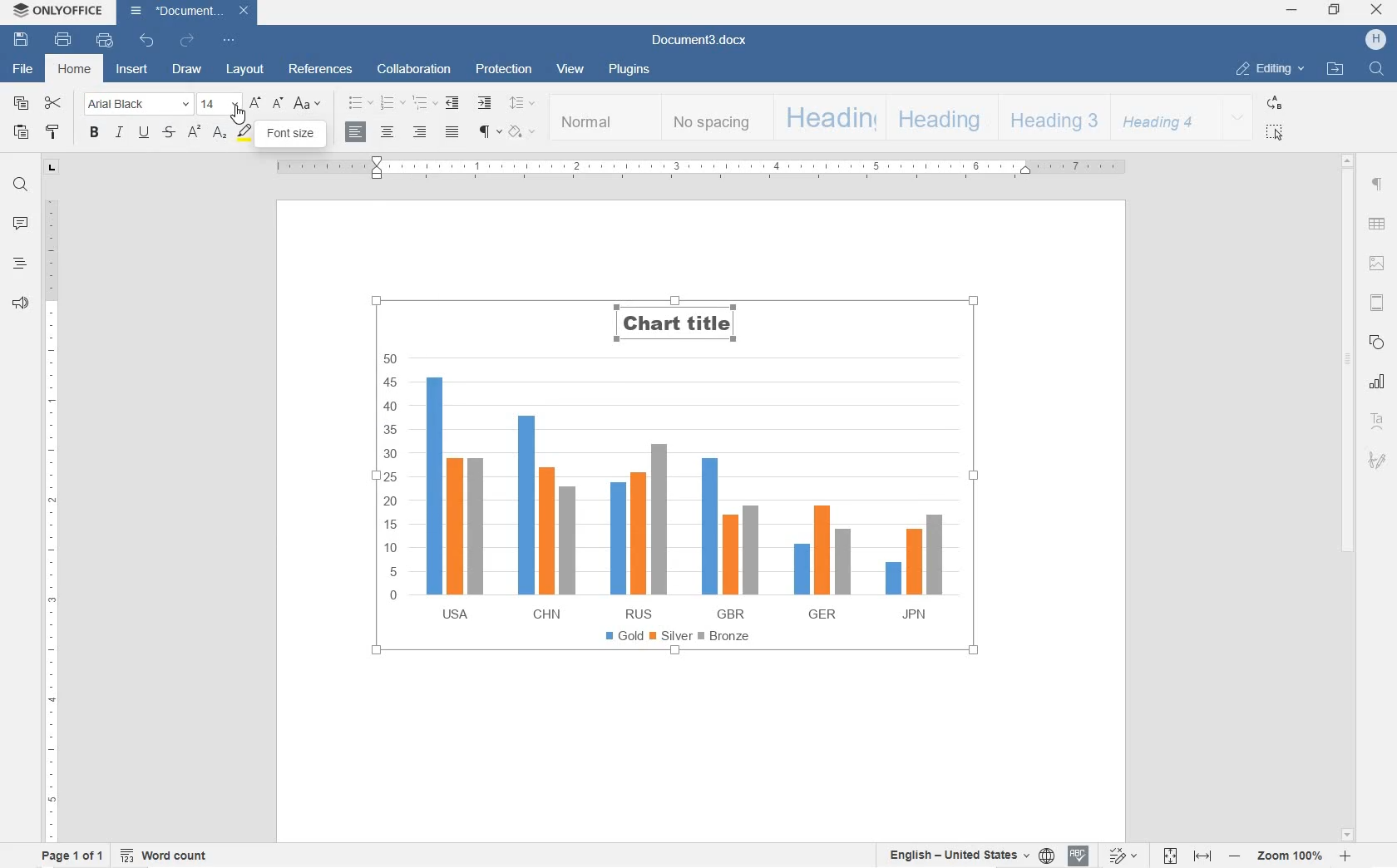 The width and height of the screenshot is (1397, 868). What do you see at coordinates (713, 119) in the screenshot?
I see `NO SPACING` at bounding box center [713, 119].